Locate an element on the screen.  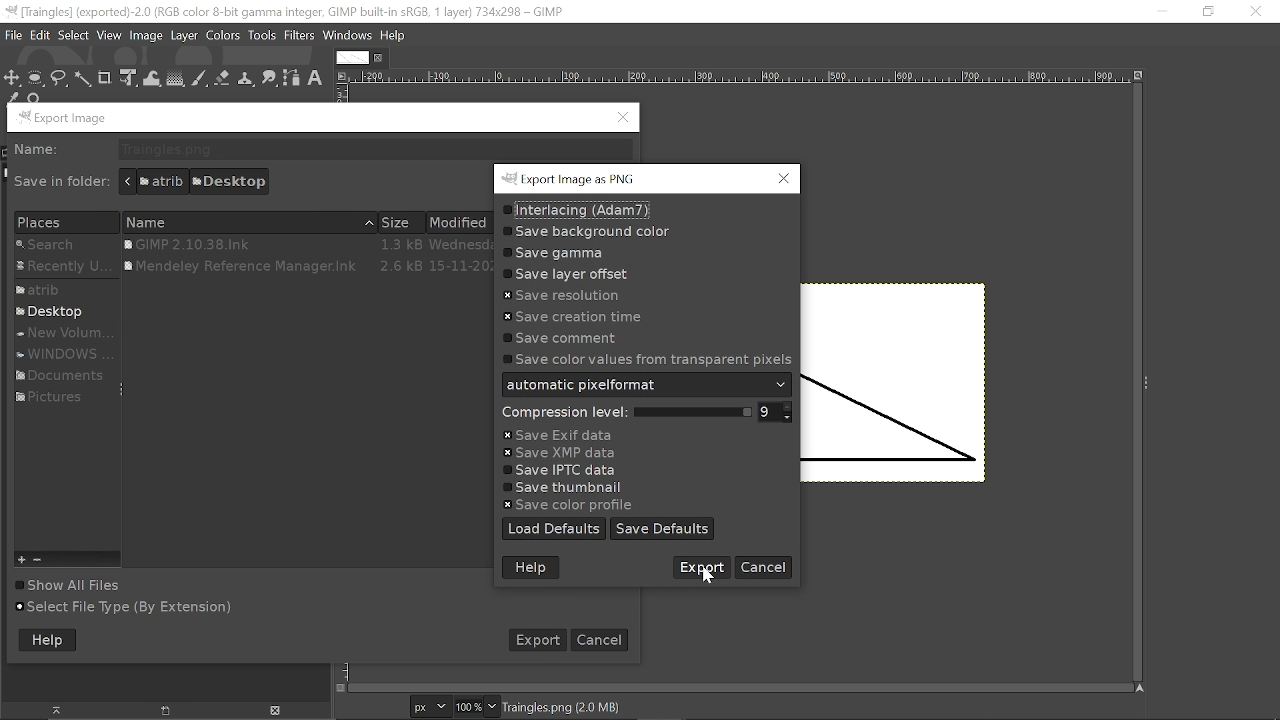
Export is located at coordinates (536, 639).